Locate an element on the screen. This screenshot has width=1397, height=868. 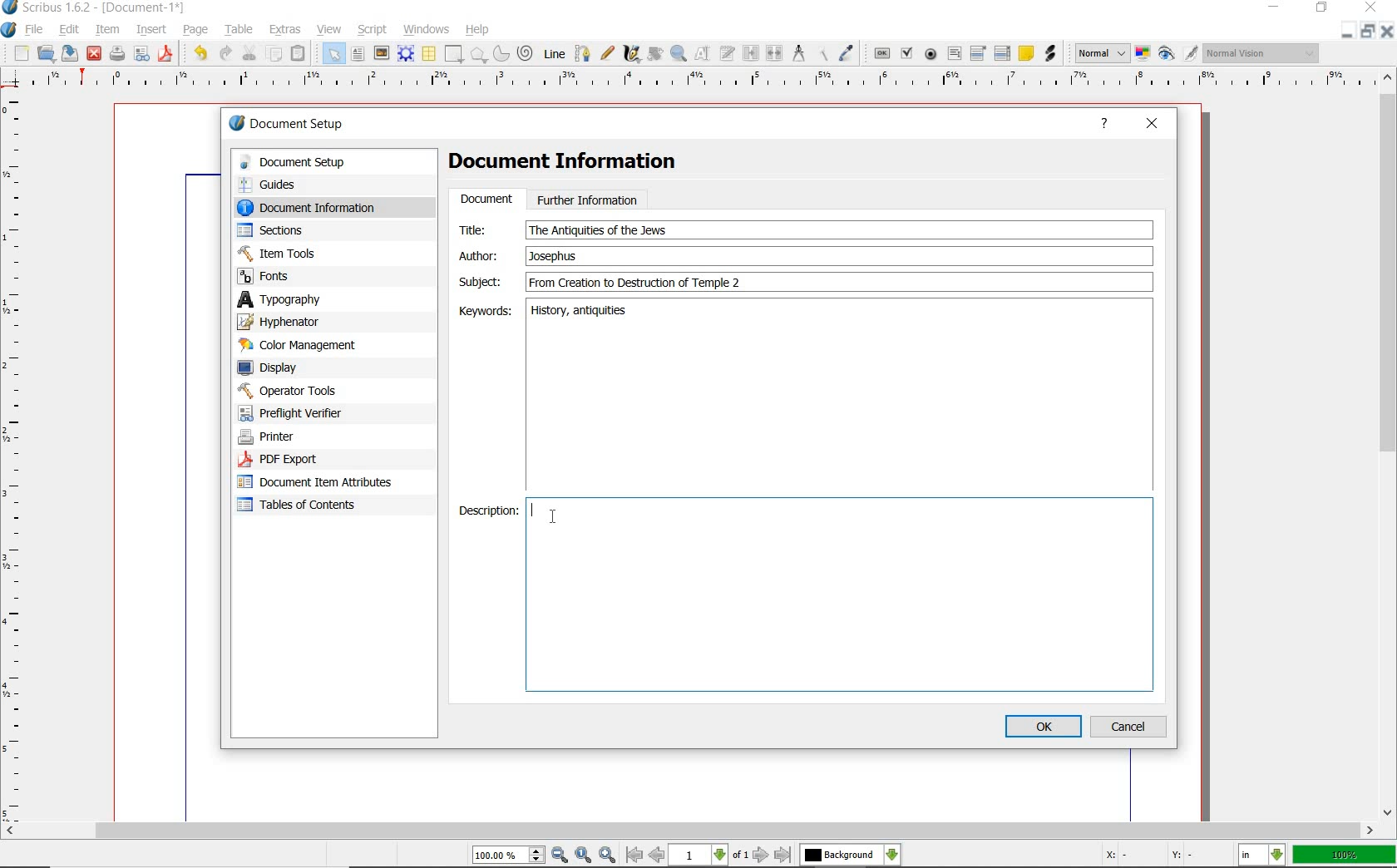
close is located at coordinates (95, 55).